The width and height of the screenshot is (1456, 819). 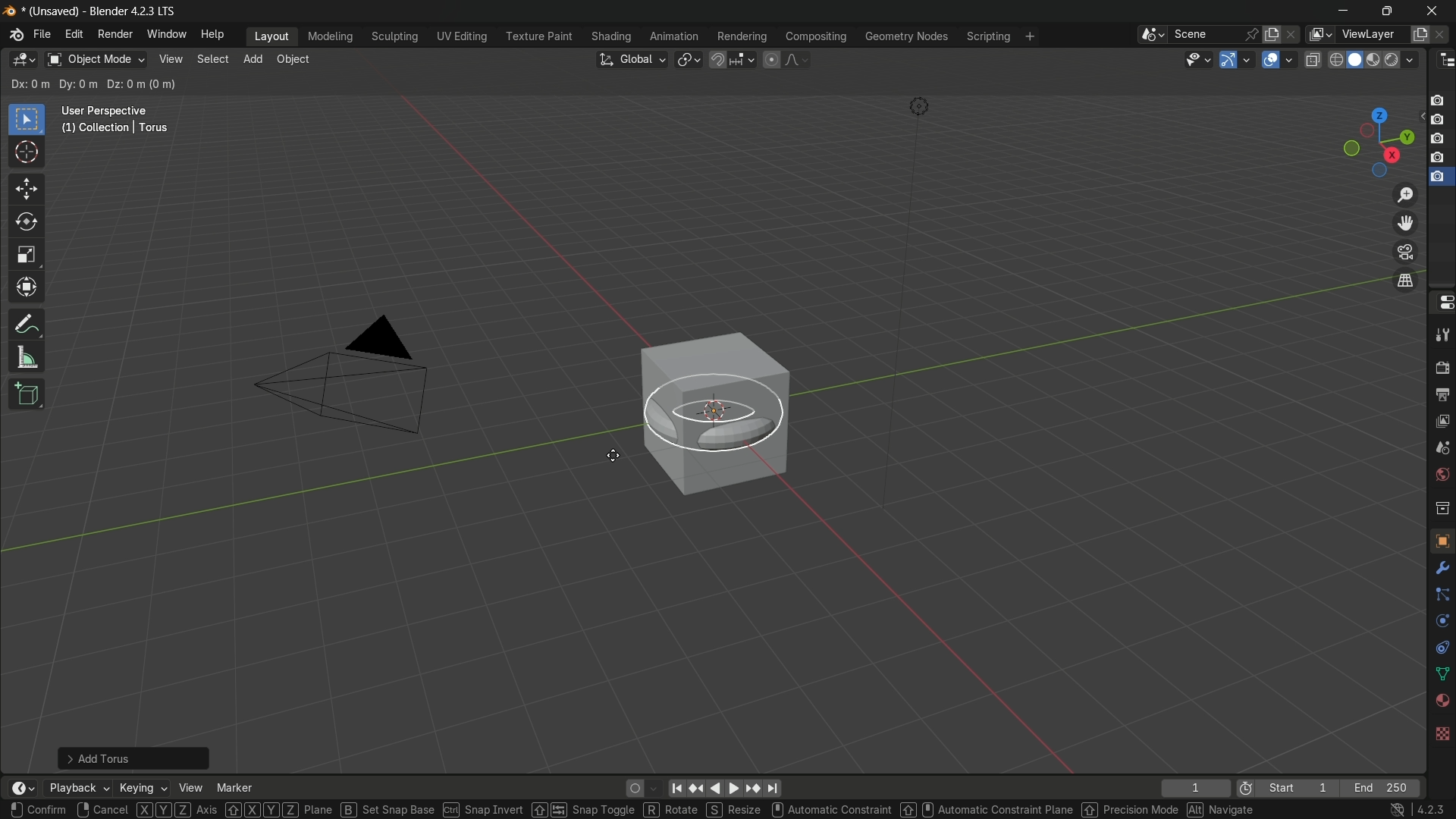 What do you see at coordinates (1442, 364) in the screenshot?
I see `render` at bounding box center [1442, 364].